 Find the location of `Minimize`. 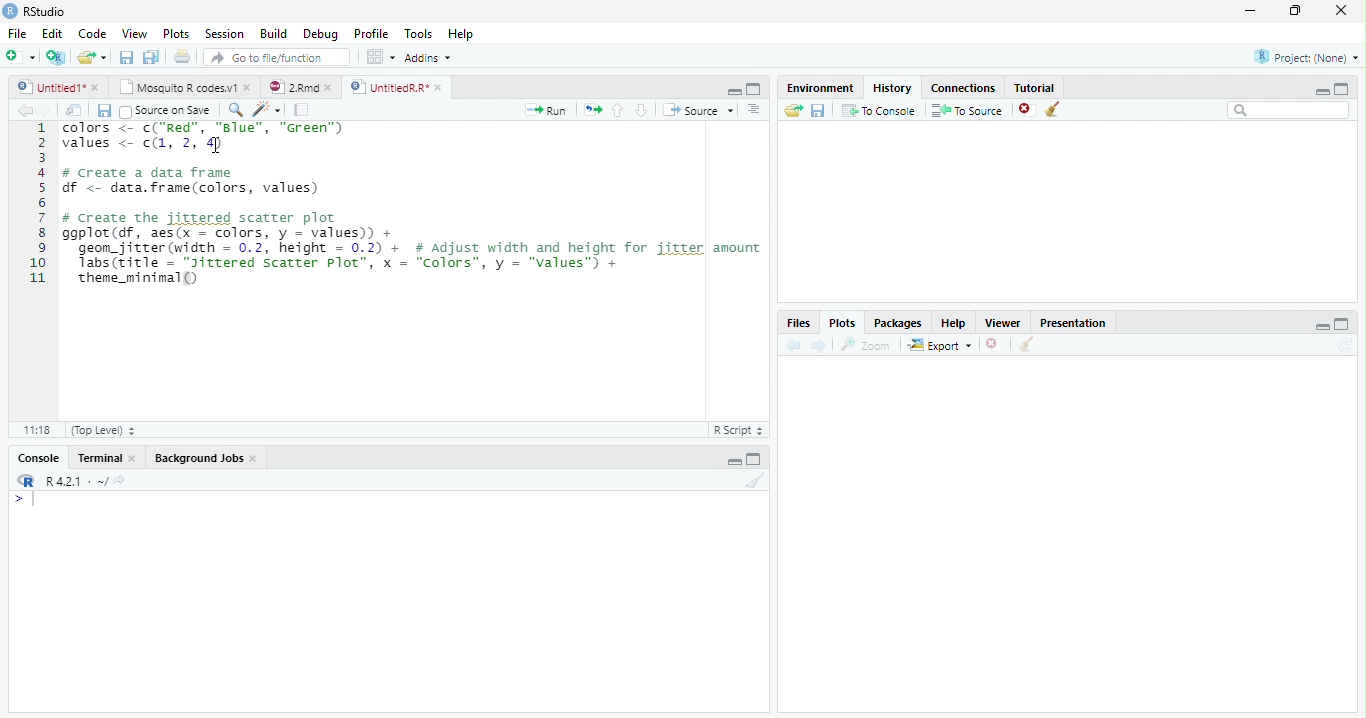

Minimize is located at coordinates (733, 462).